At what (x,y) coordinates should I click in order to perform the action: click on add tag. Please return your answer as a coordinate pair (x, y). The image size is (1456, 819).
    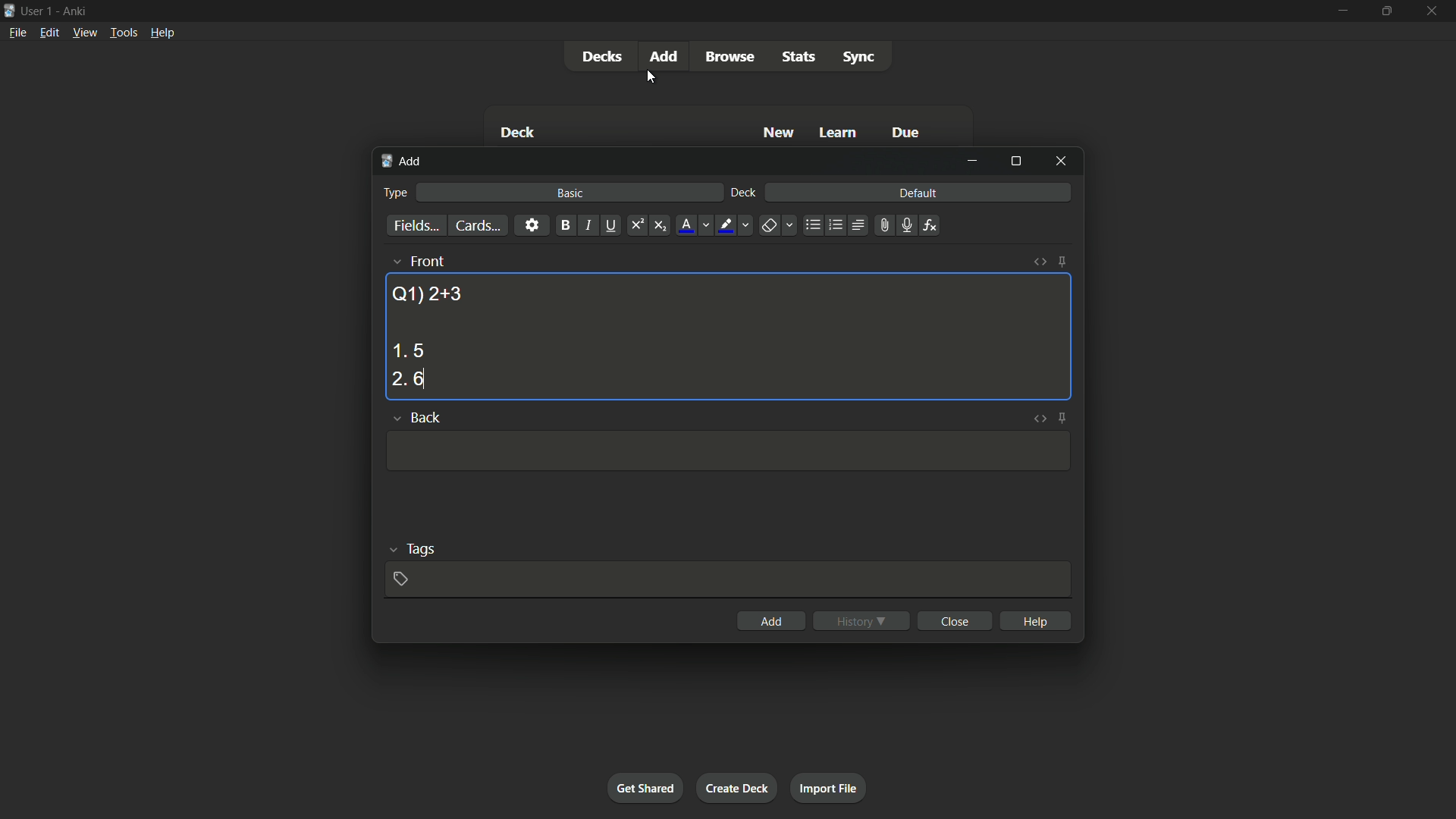
    Looking at the image, I should click on (400, 579).